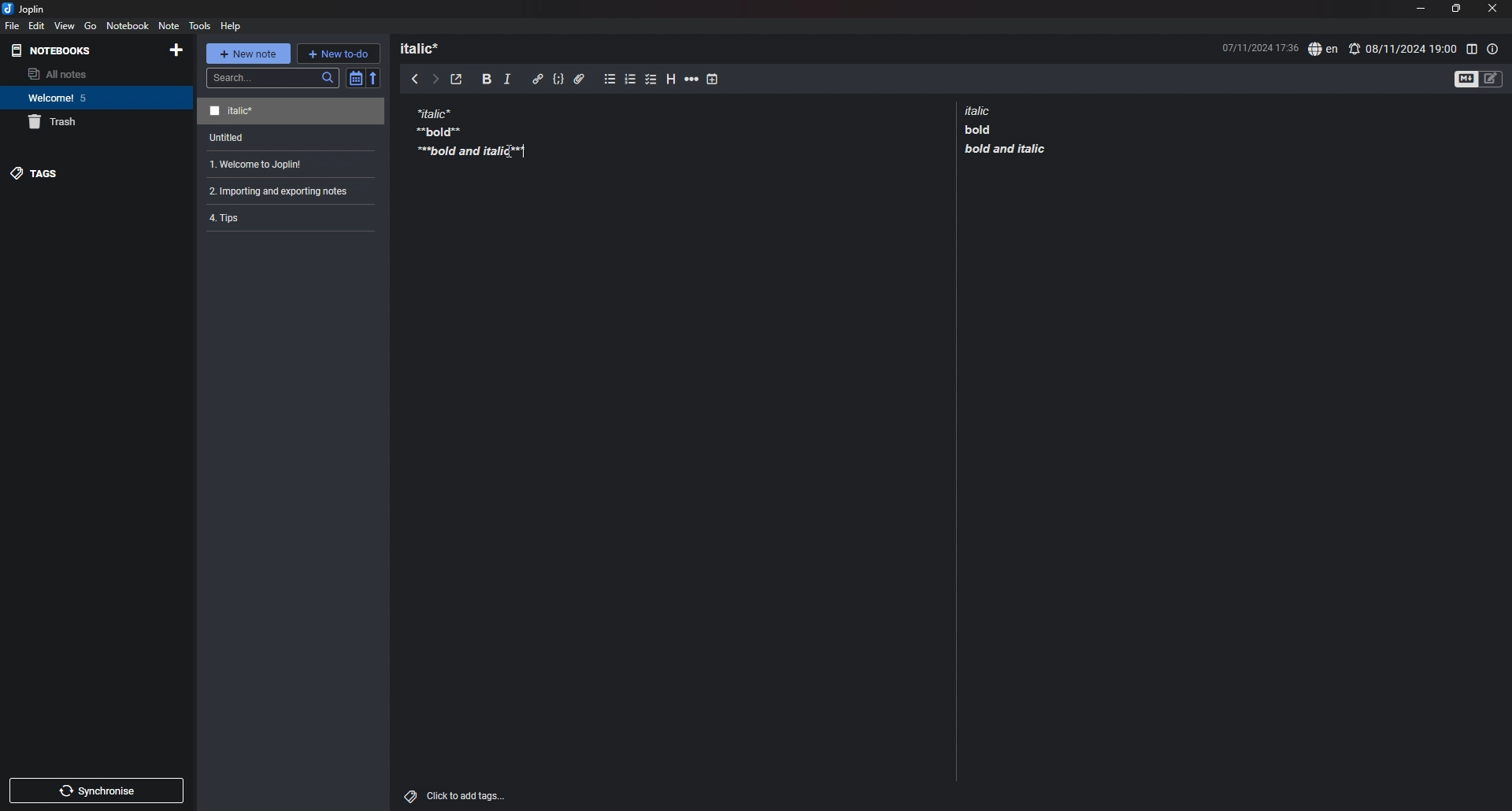  Describe the element at coordinates (92, 74) in the screenshot. I see `all notes` at that location.